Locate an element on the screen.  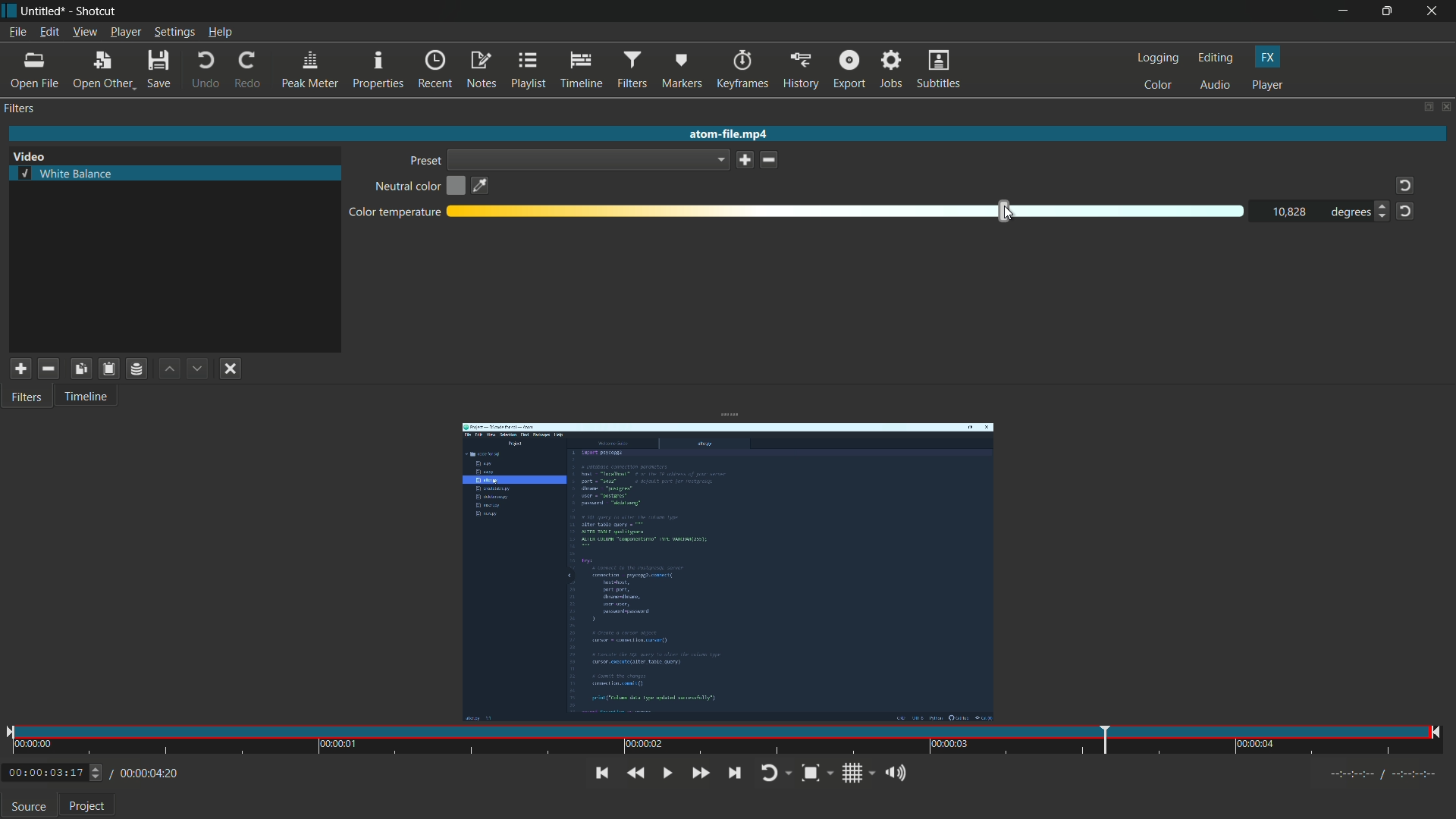
untitled (file name) is located at coordinates (43, 11).